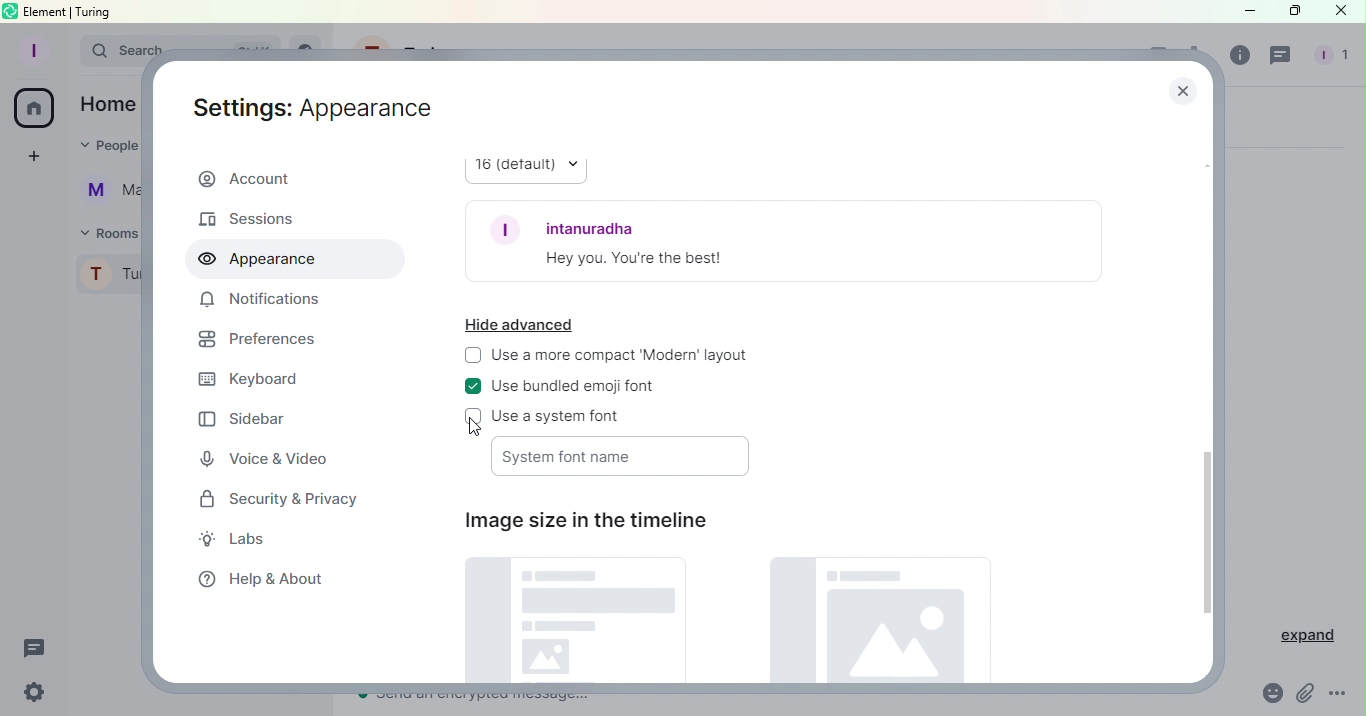 Image resolution: width=1366 pixels, height=716 pixels. I want to click on Cursor, so click(475, 432).